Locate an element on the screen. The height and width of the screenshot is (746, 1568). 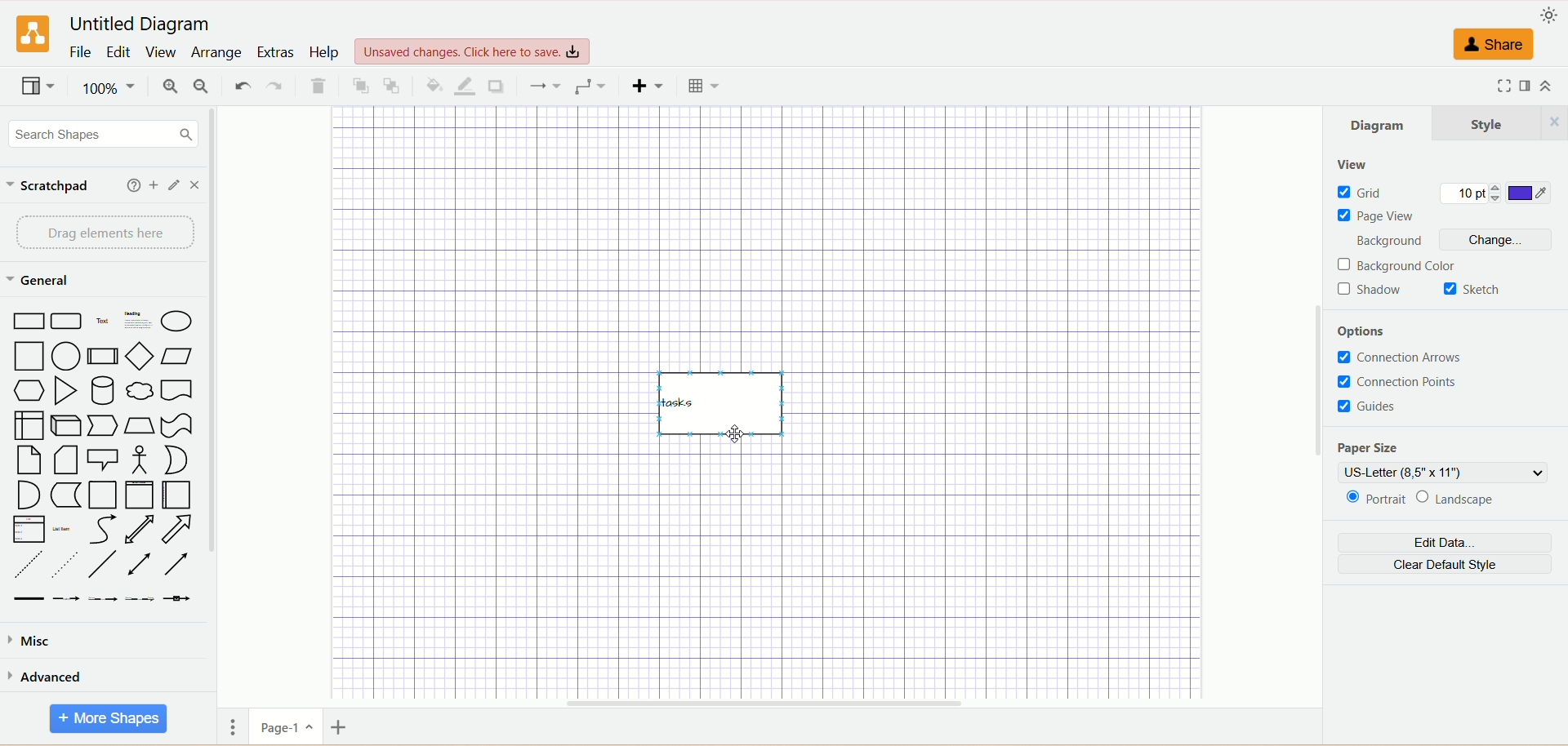
horizontal scroll bar is located at coordinates (768, 701).